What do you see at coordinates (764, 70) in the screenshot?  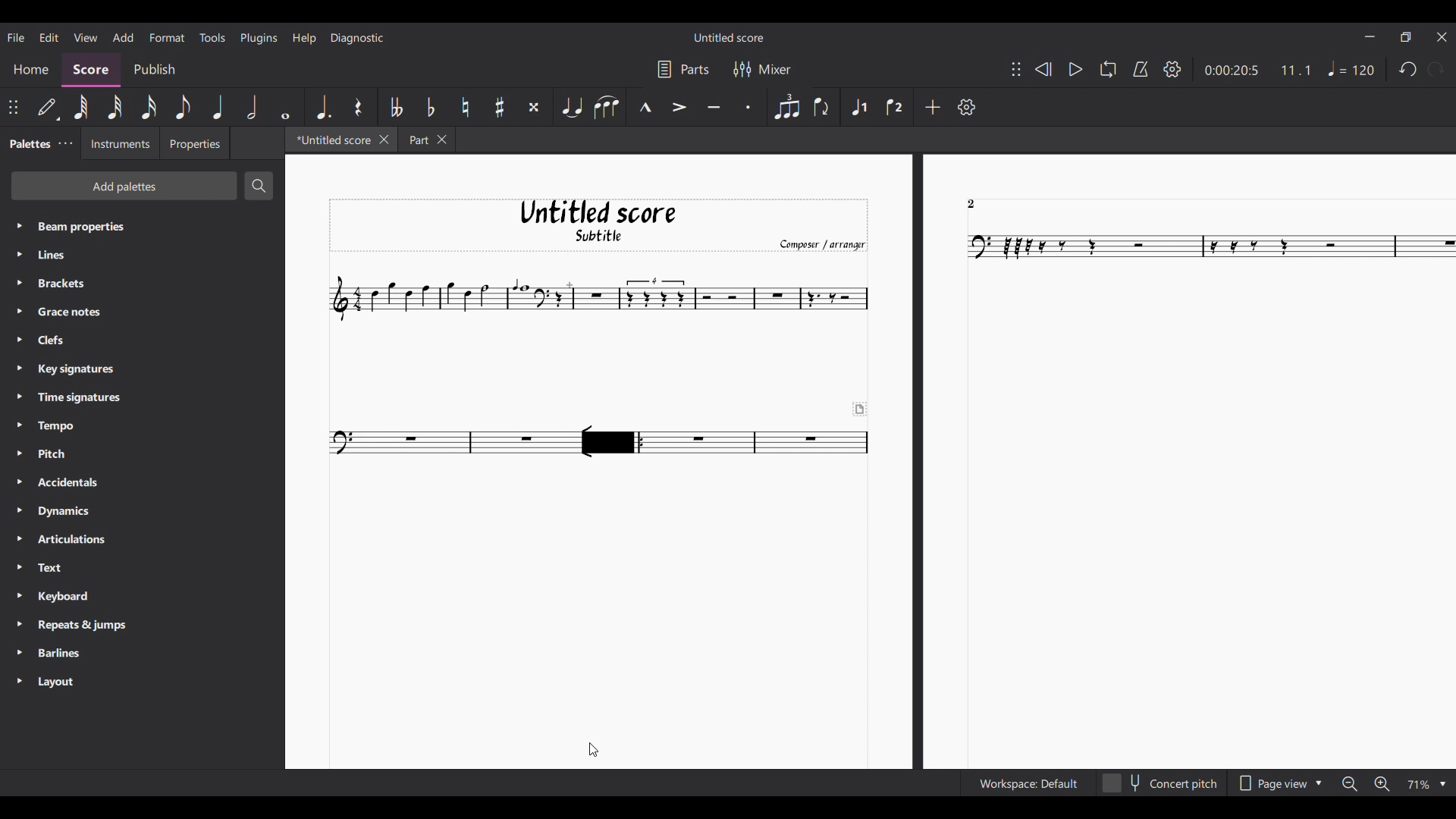 I see `Mixer settings` at bounding box center [764, 70].